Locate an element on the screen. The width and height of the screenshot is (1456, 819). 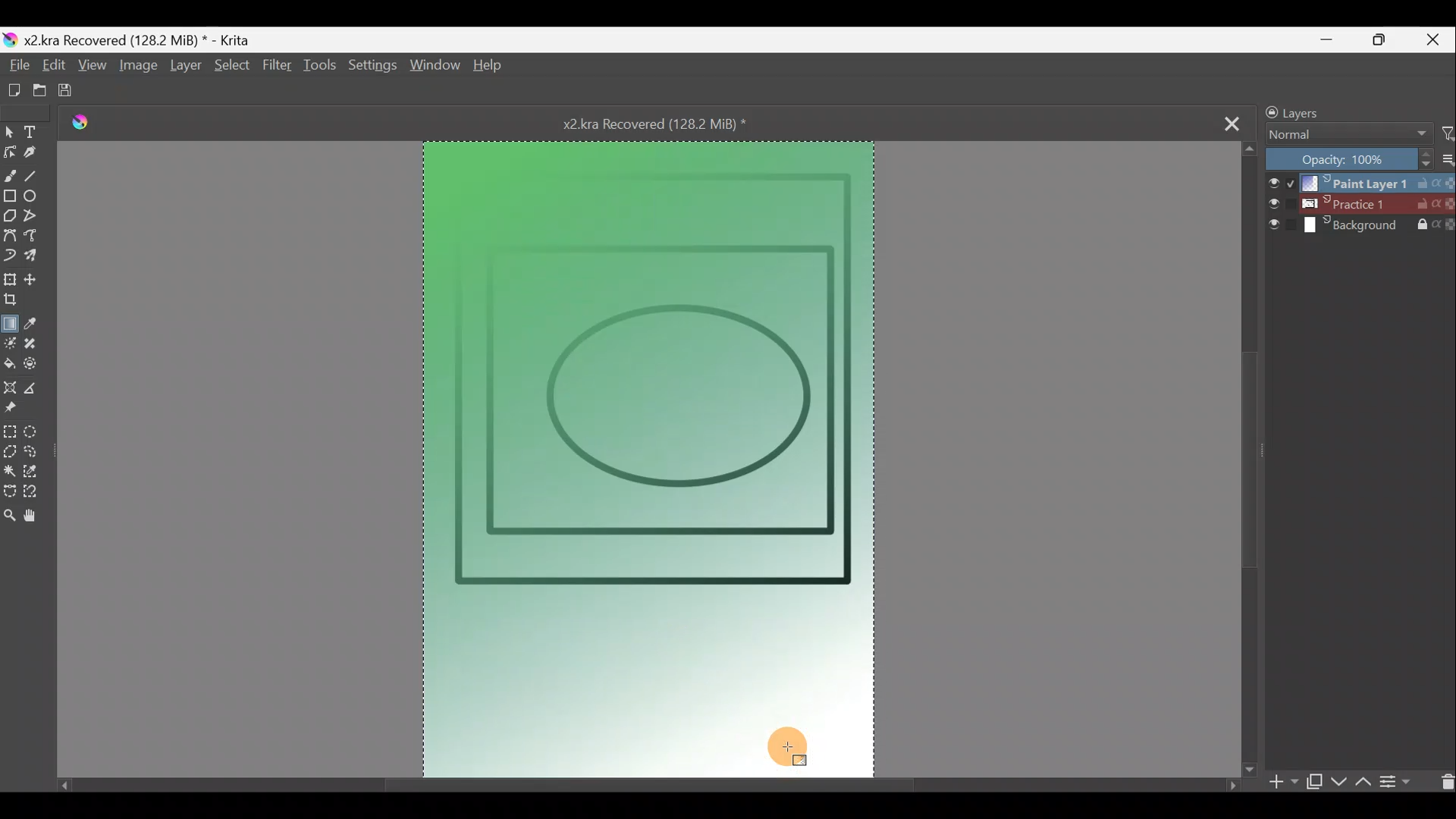
Transform a layer/selection is located at coordinates (11, 281).